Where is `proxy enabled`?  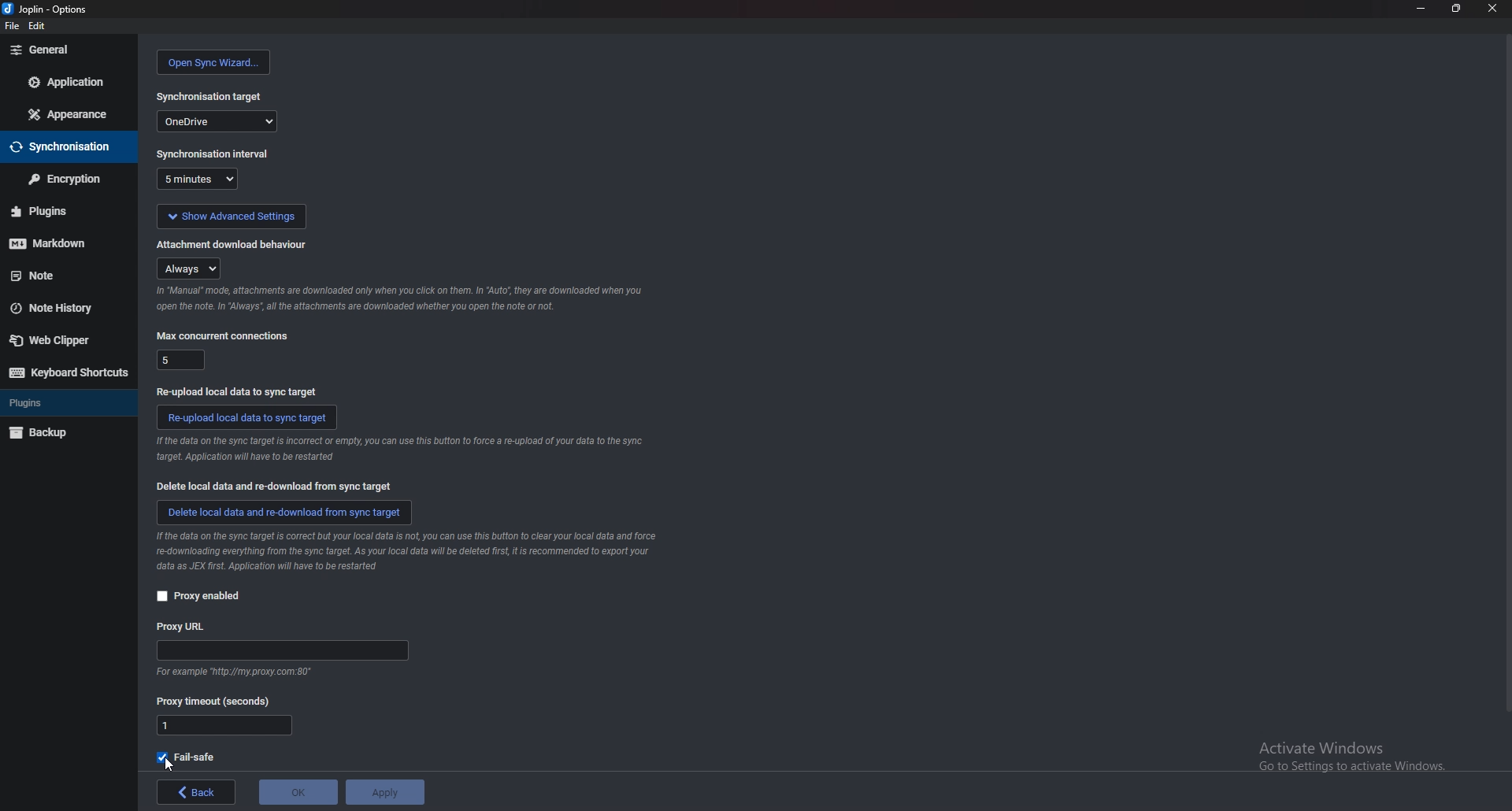 proxy enabled is located at coordinates (202, 596).